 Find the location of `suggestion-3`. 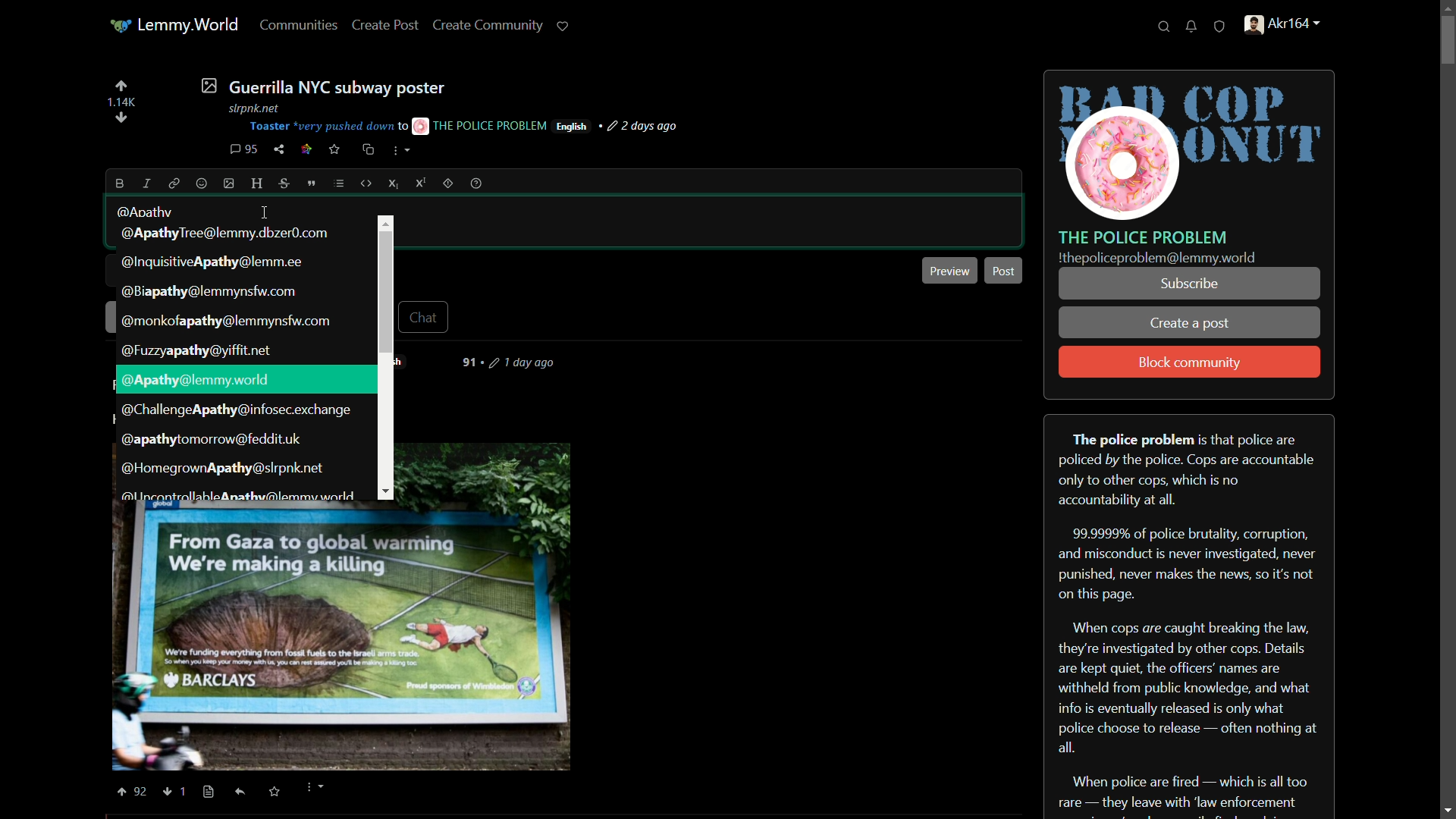

suggestion-3 is located at coordinates (208, 293).